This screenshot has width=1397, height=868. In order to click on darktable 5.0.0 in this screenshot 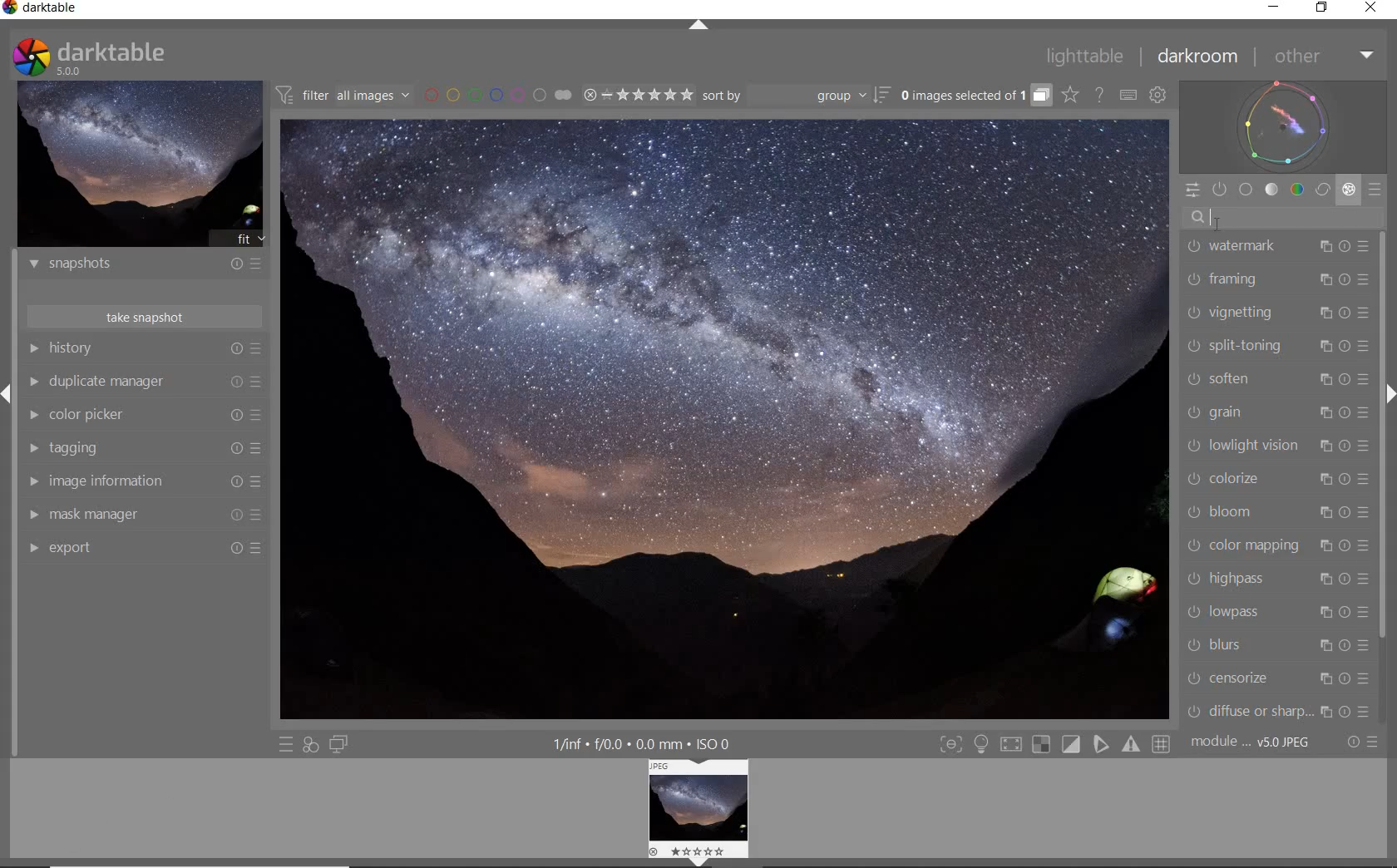, I will do `click(111, 57)`.